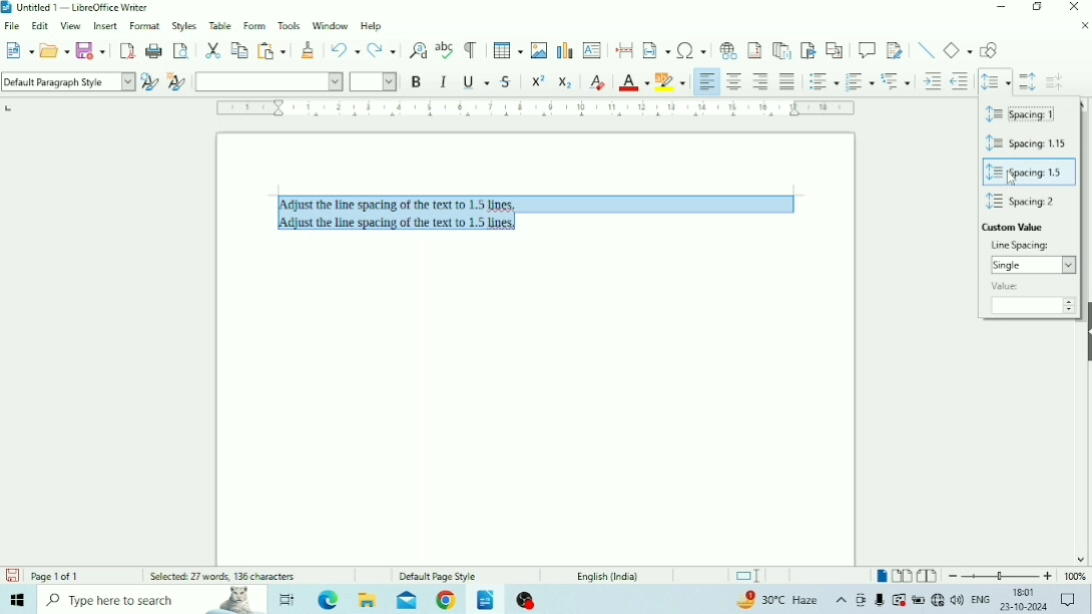  Describe the element at coordinates (506, 82) in the screenshot. I see `Strikethrough` at that location.